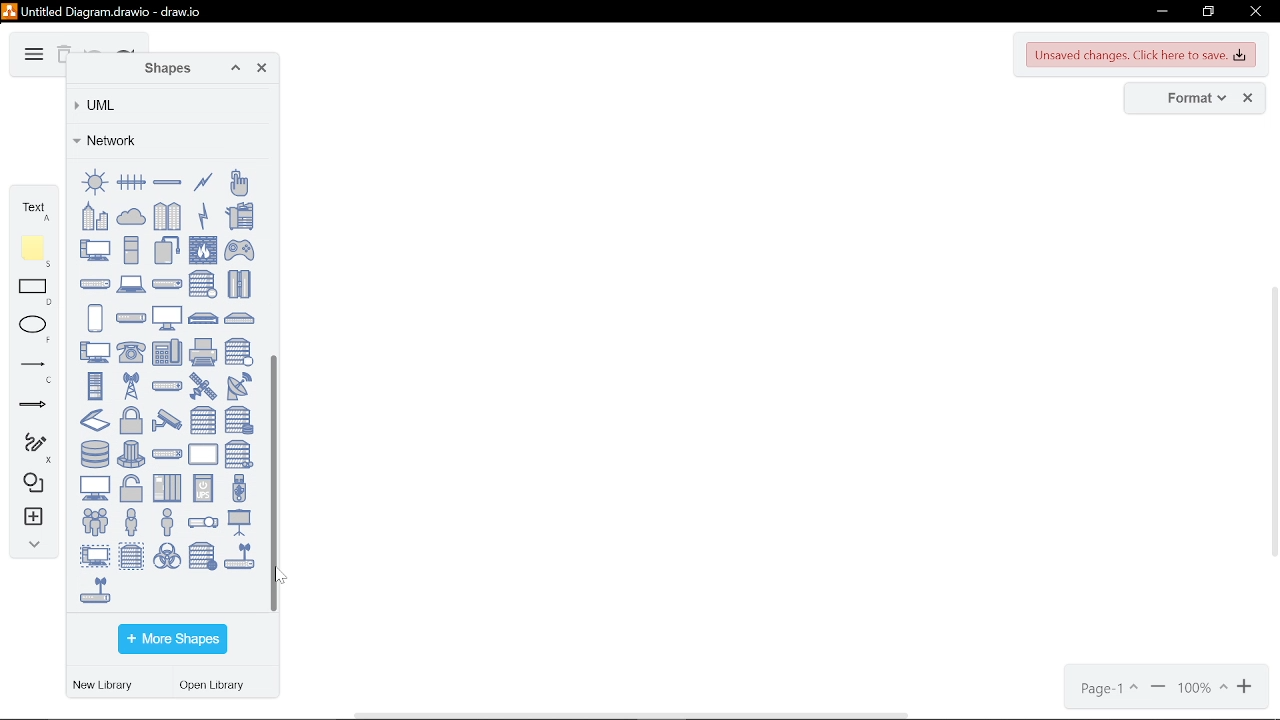 The width and height of the screenshot is (1280, 720). What do you see at coordinates (204, 318) in the screenshot?
I see `NAS filer` at bounding box center [204, 318].